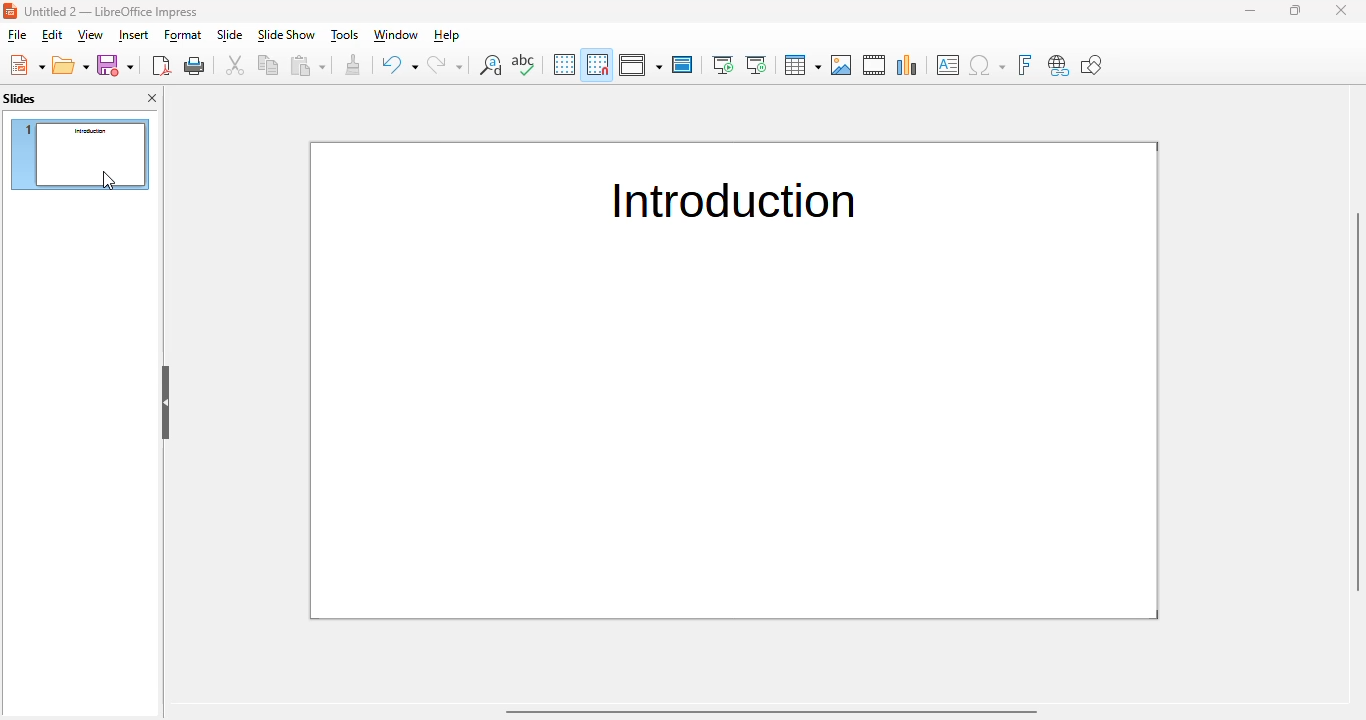  Describe the element at coordinates (235, 65) in the screenshot. I see `cut` at that location.